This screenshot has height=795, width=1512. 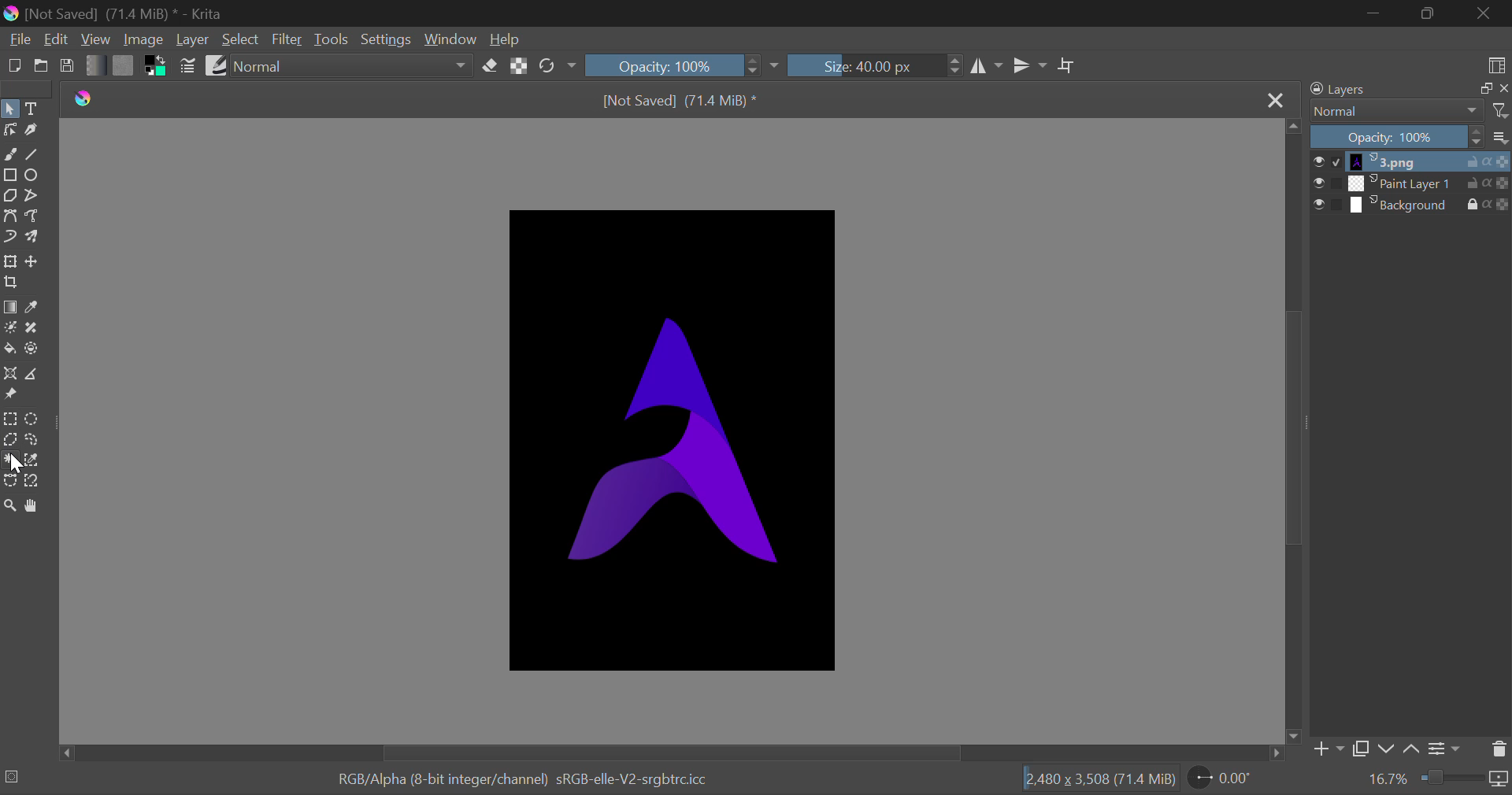 I want to click on copy, so click(x=1483, y=89).